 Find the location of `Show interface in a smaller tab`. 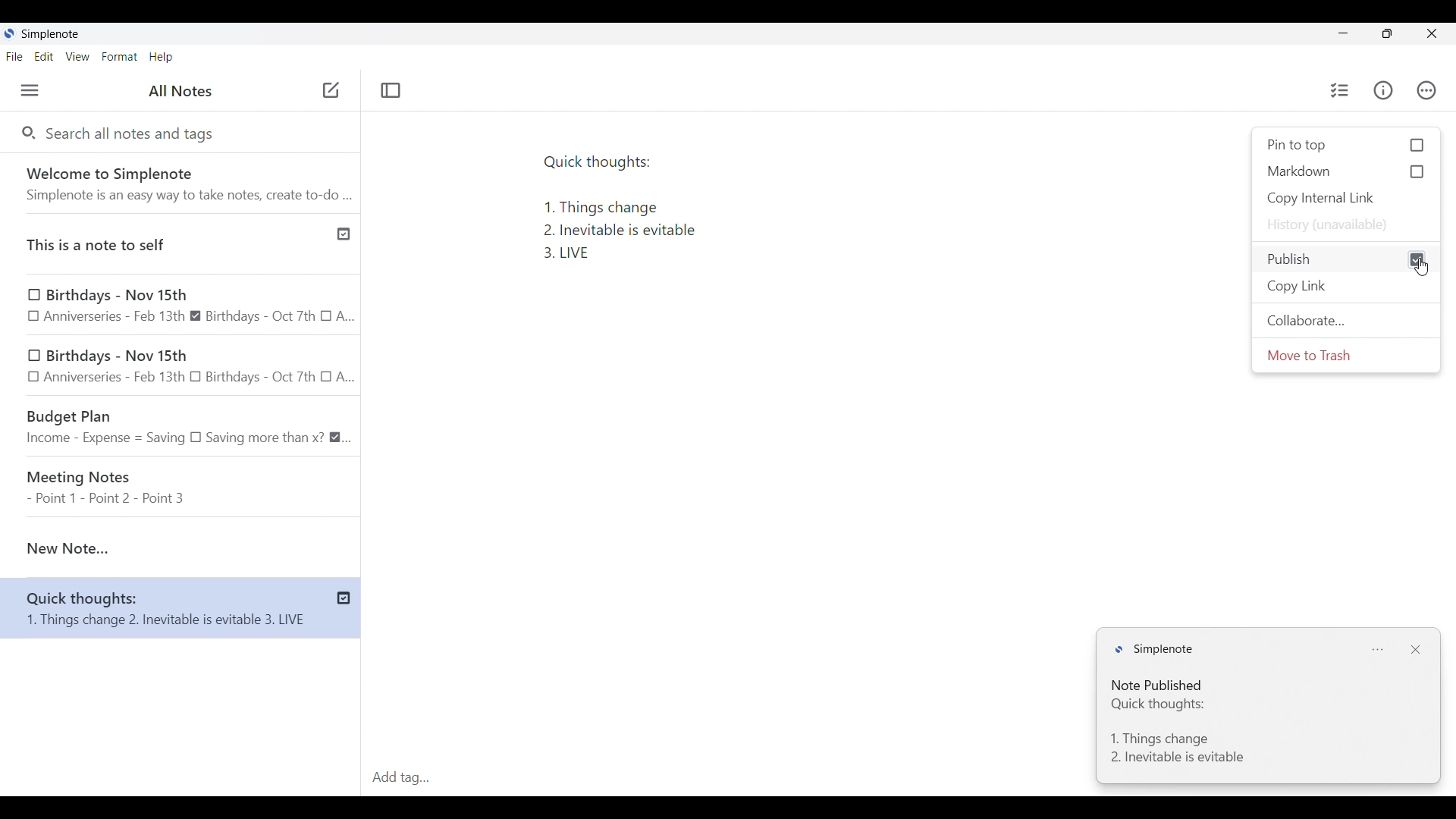

Show interface in a smaller tab is located at coordinates (1388, 33).